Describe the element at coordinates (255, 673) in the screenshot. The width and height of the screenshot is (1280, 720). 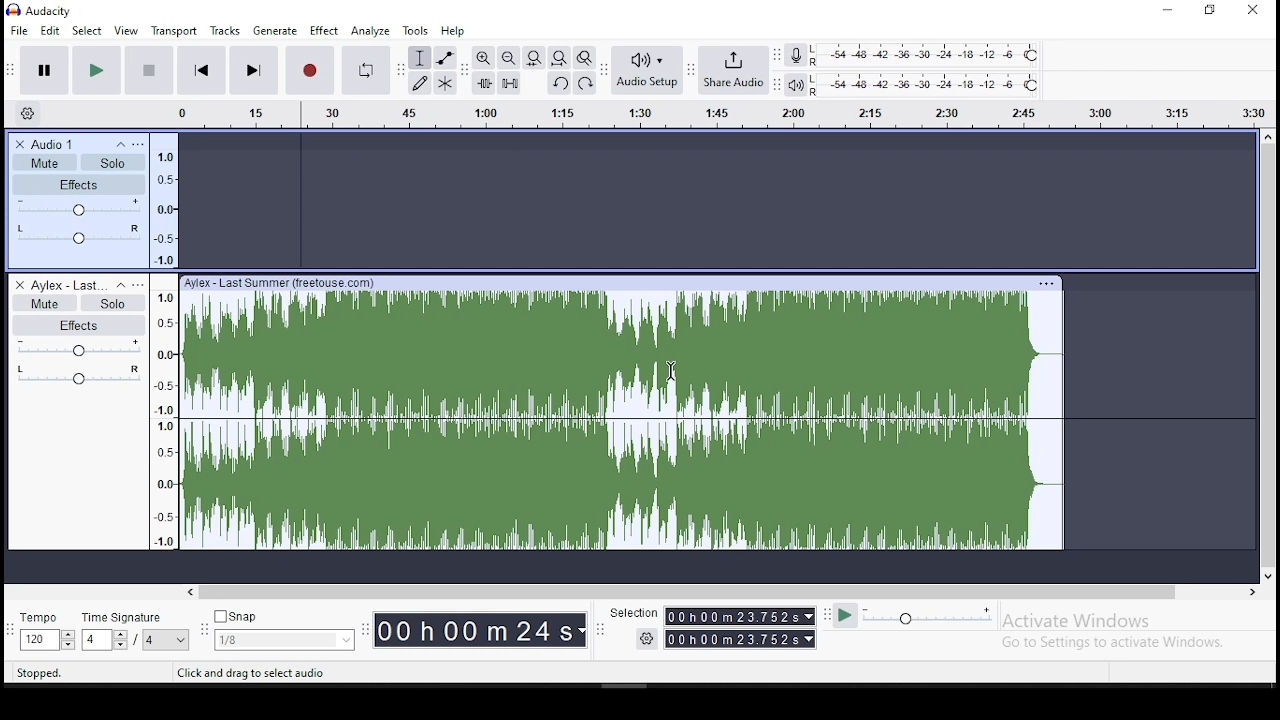
I see `tool tips` at that location.